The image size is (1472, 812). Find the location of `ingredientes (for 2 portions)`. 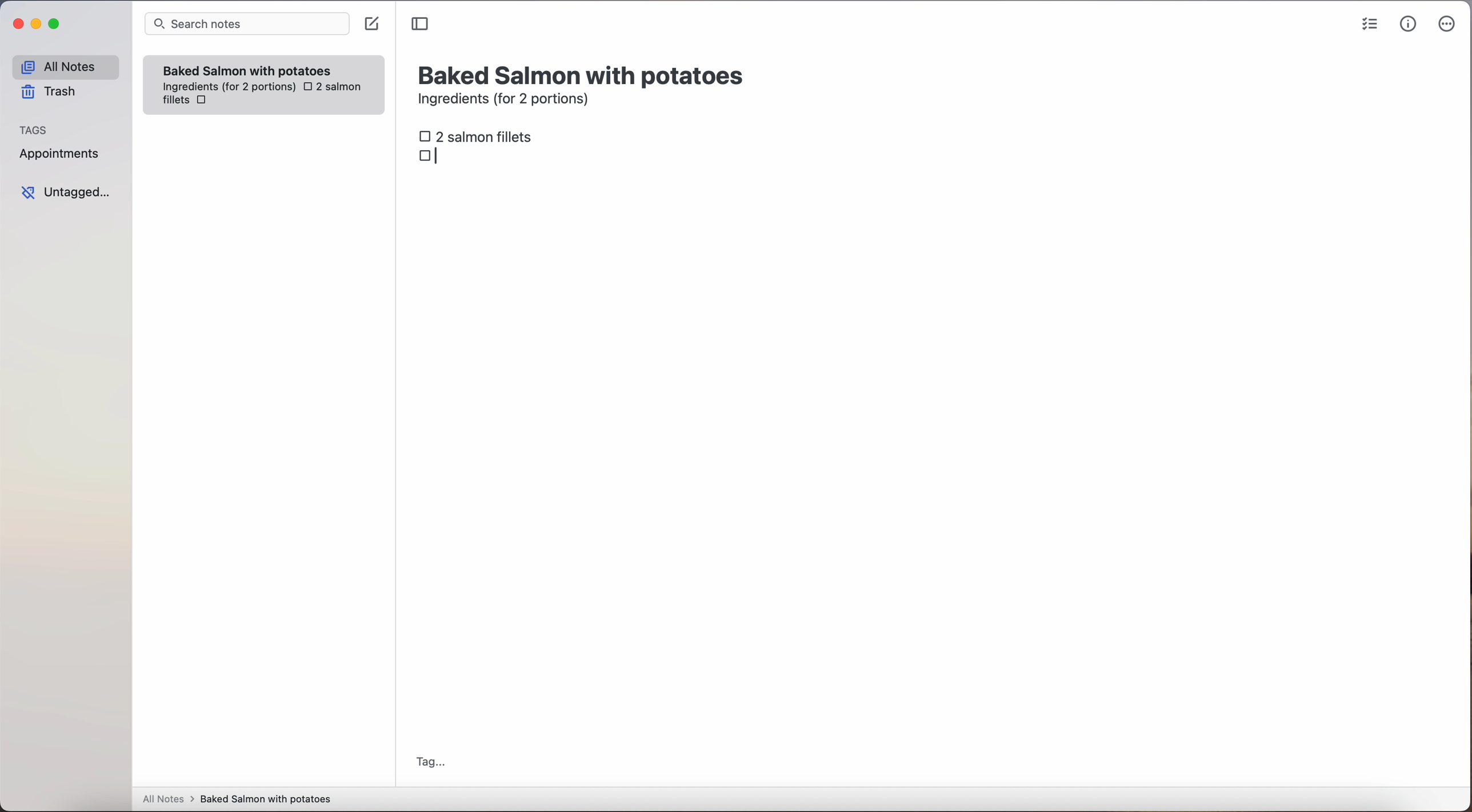

ingredientes (for 2 portions) is located at coordinates (227, 87).